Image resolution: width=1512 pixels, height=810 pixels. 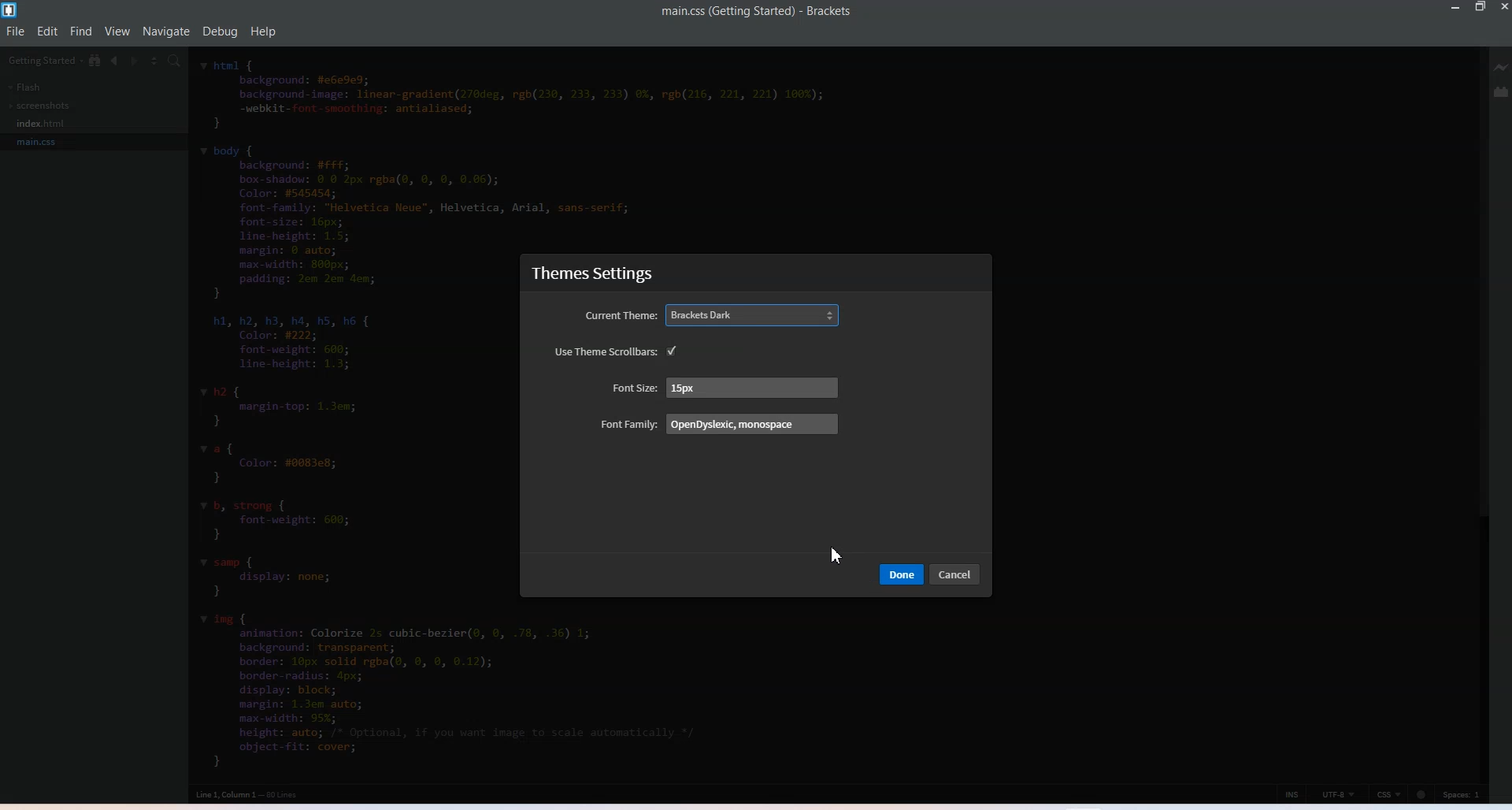 What do you see at coordinates (117, 61) in the screenshot?
I see `Navigate Backward` at bounding box center [117, 61].